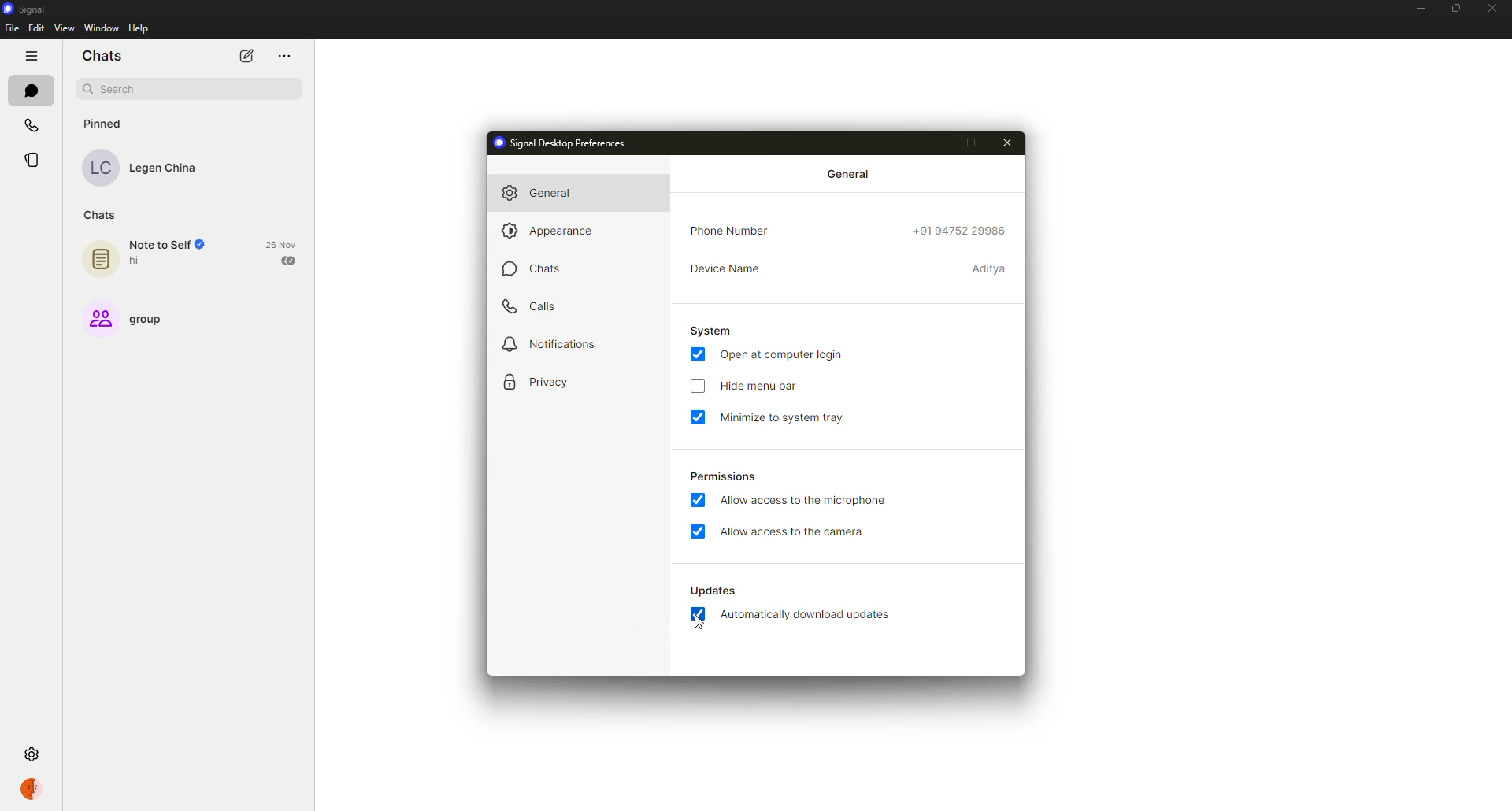 This screenshot has width=1512, height=811. I want to click on minimize to system tray, so click(784, 420).